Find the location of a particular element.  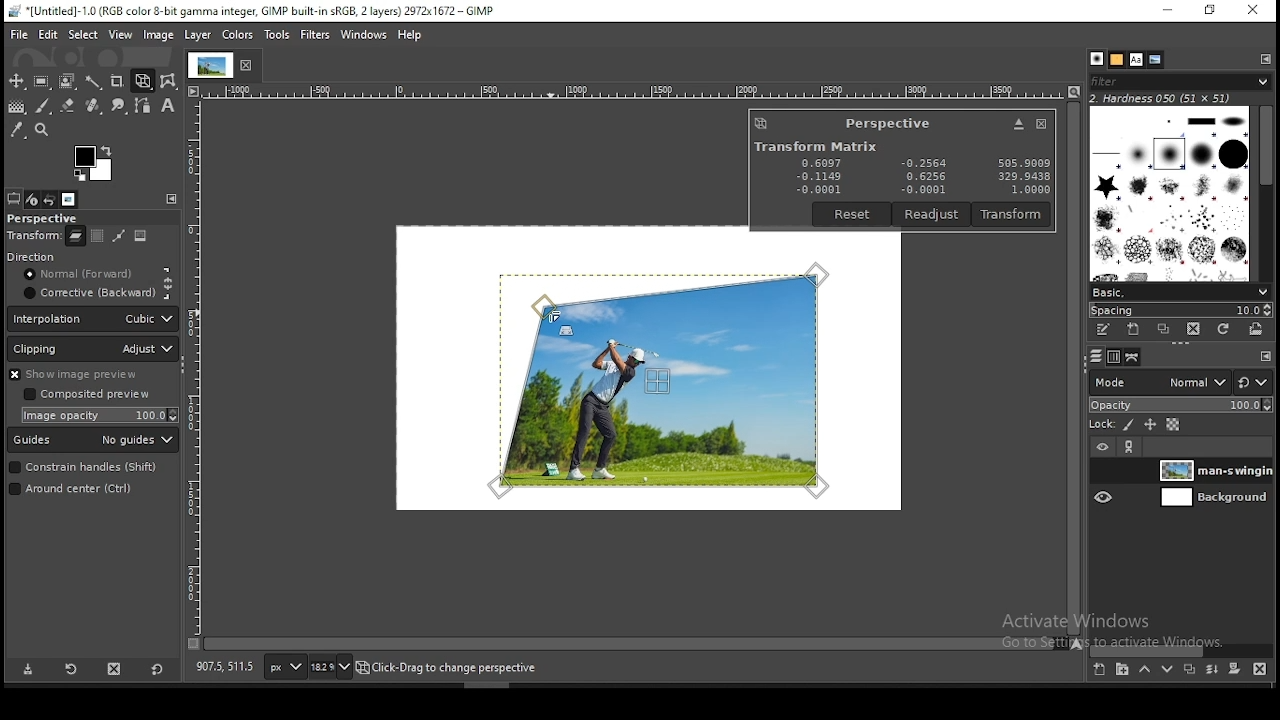

restore is located at coordinates (1209, 11).